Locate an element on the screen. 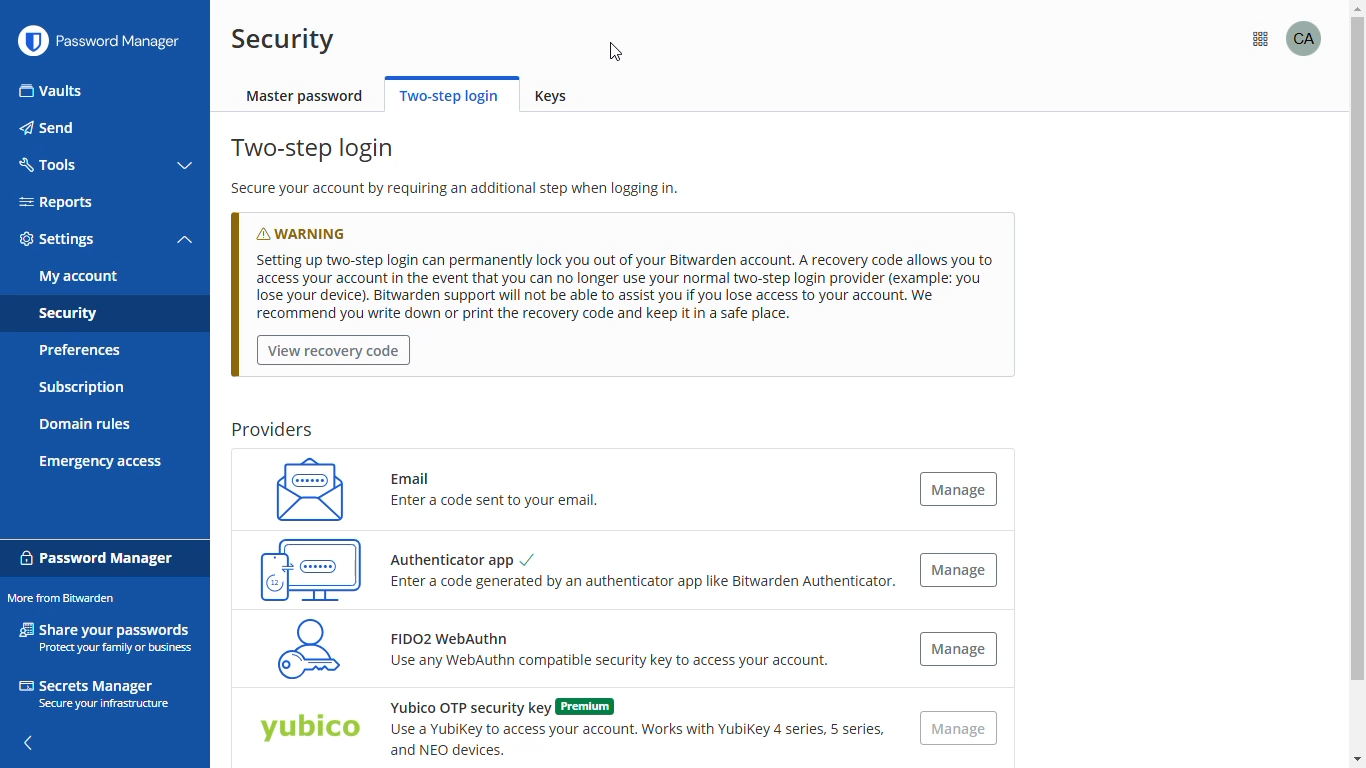 Image resolution: width=1366 pixels, height=768 pixels. Vertical Scroll bar is located at coordinates (1350, 411).